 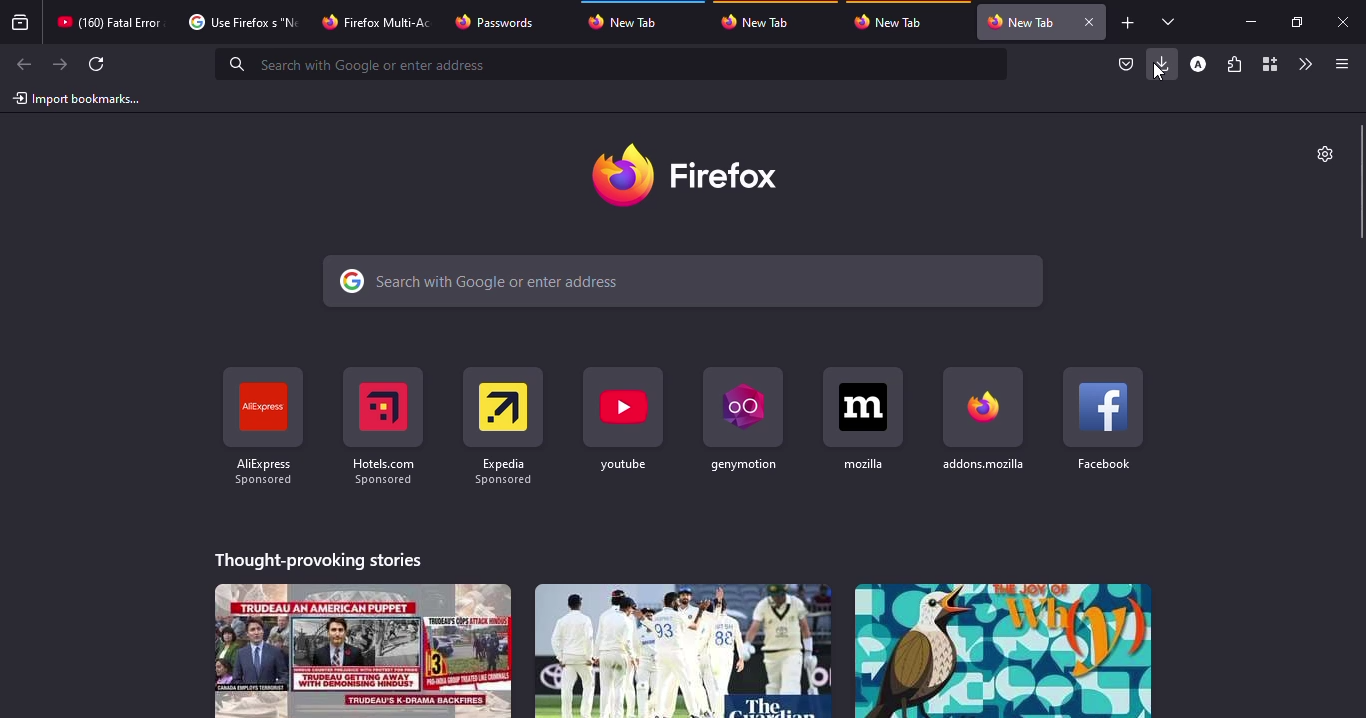 What do you see at coordinates (98, 64) in the screenshot?
I see `refresh` at bounding box center [98, 64].